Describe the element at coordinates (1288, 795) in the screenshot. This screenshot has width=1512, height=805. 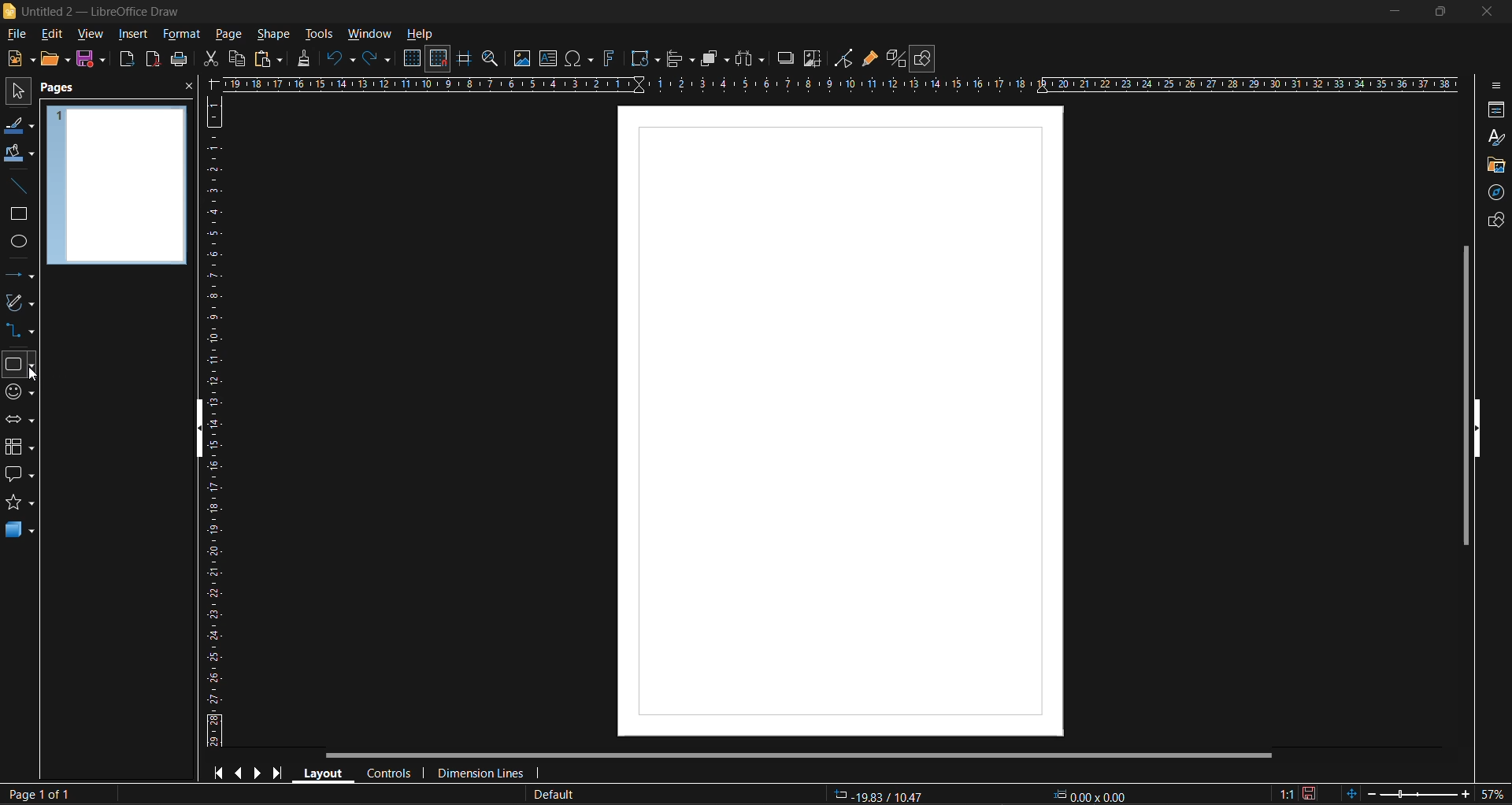
I see `scaling factor` at that location.